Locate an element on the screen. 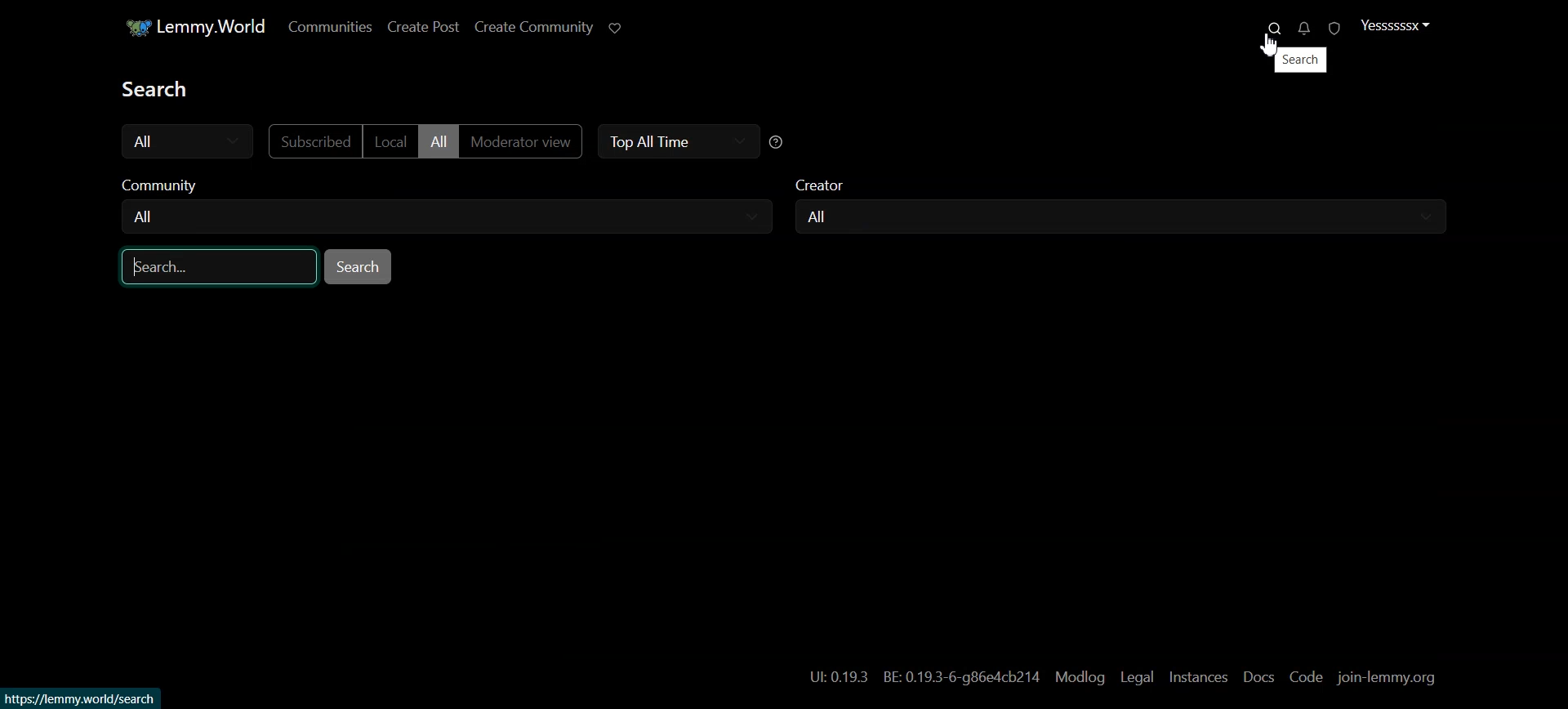 The image size is (1568, 709). url is located at coordinates (88, 698).